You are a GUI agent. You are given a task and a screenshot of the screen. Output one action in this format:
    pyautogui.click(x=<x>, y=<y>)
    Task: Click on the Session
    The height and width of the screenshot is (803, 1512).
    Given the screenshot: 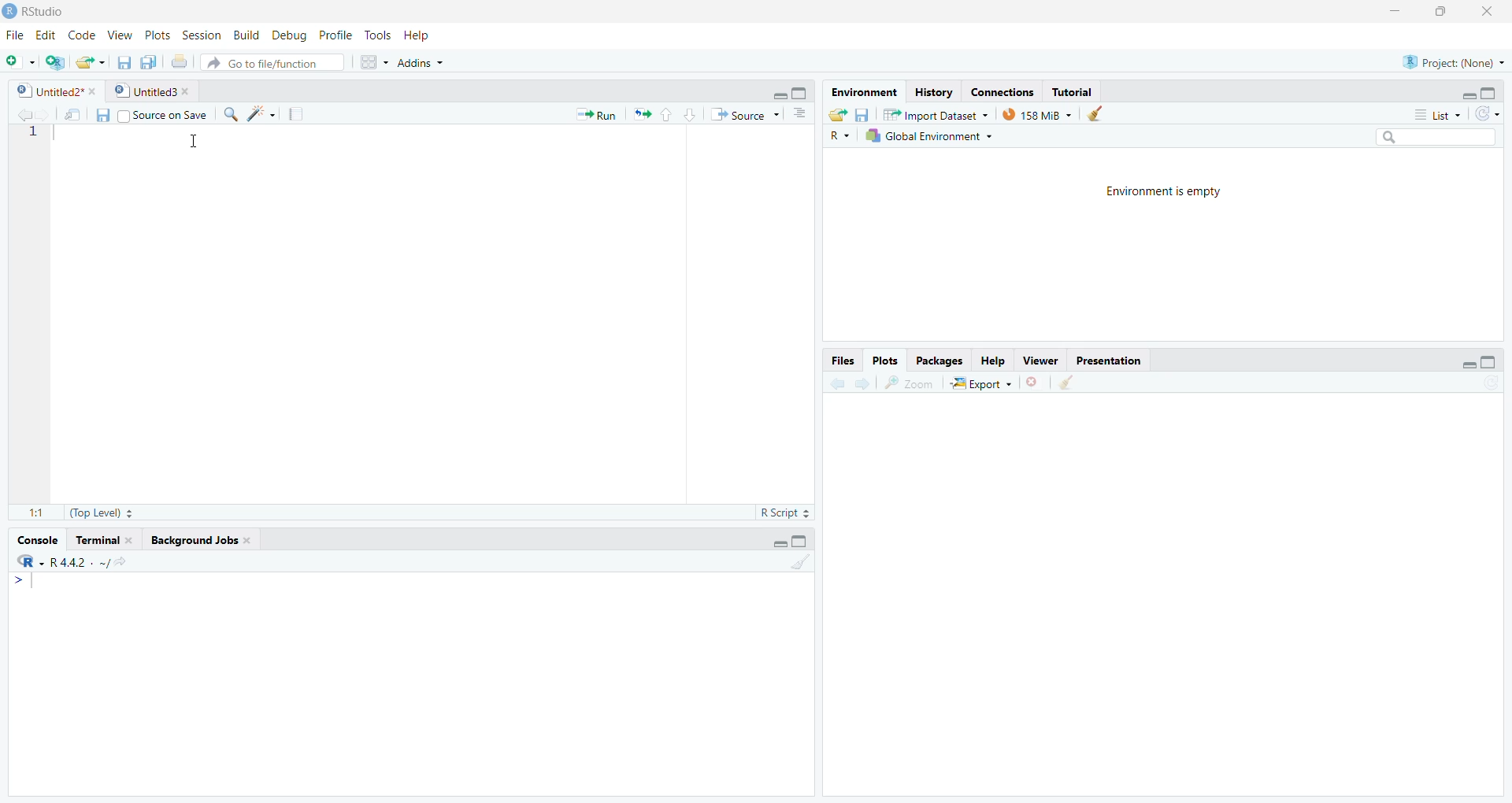 What is the action you would take?
    pyautogui.click(x=198, y=34)
    